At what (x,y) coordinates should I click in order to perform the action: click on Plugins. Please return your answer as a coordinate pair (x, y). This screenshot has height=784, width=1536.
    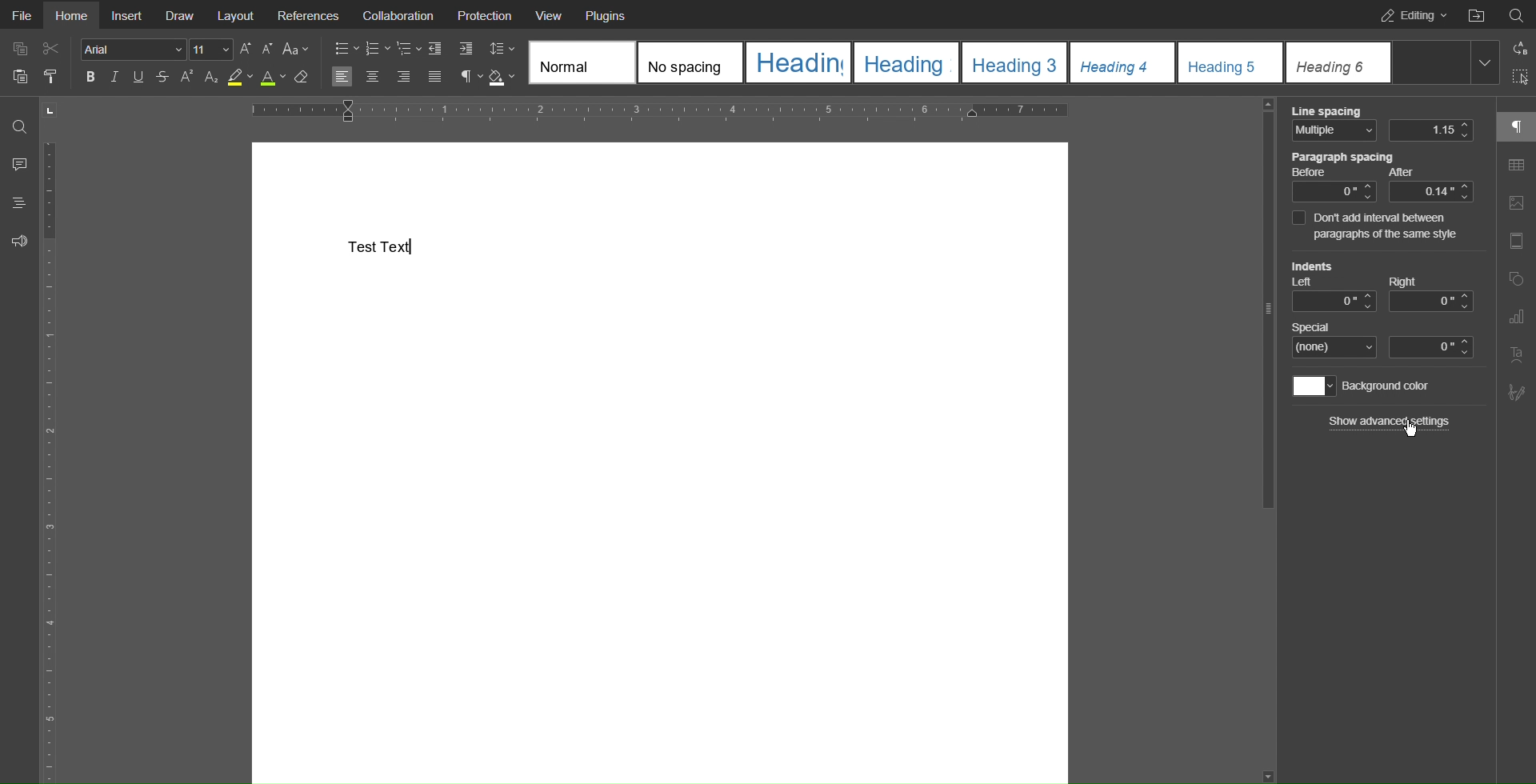
    Looking at the image, I should click on (604, 14).